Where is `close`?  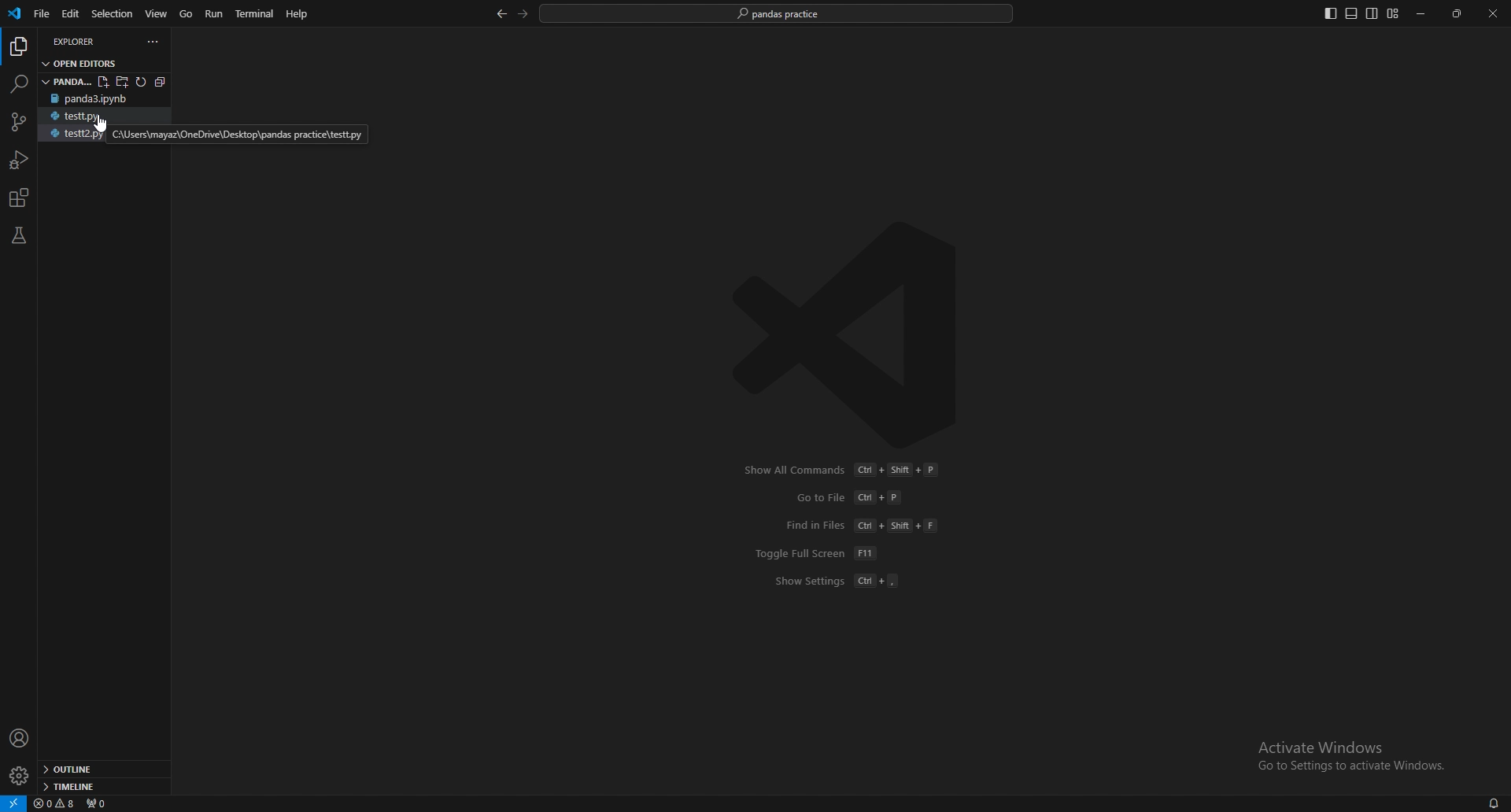 close is located at coordinates (1493, 13).